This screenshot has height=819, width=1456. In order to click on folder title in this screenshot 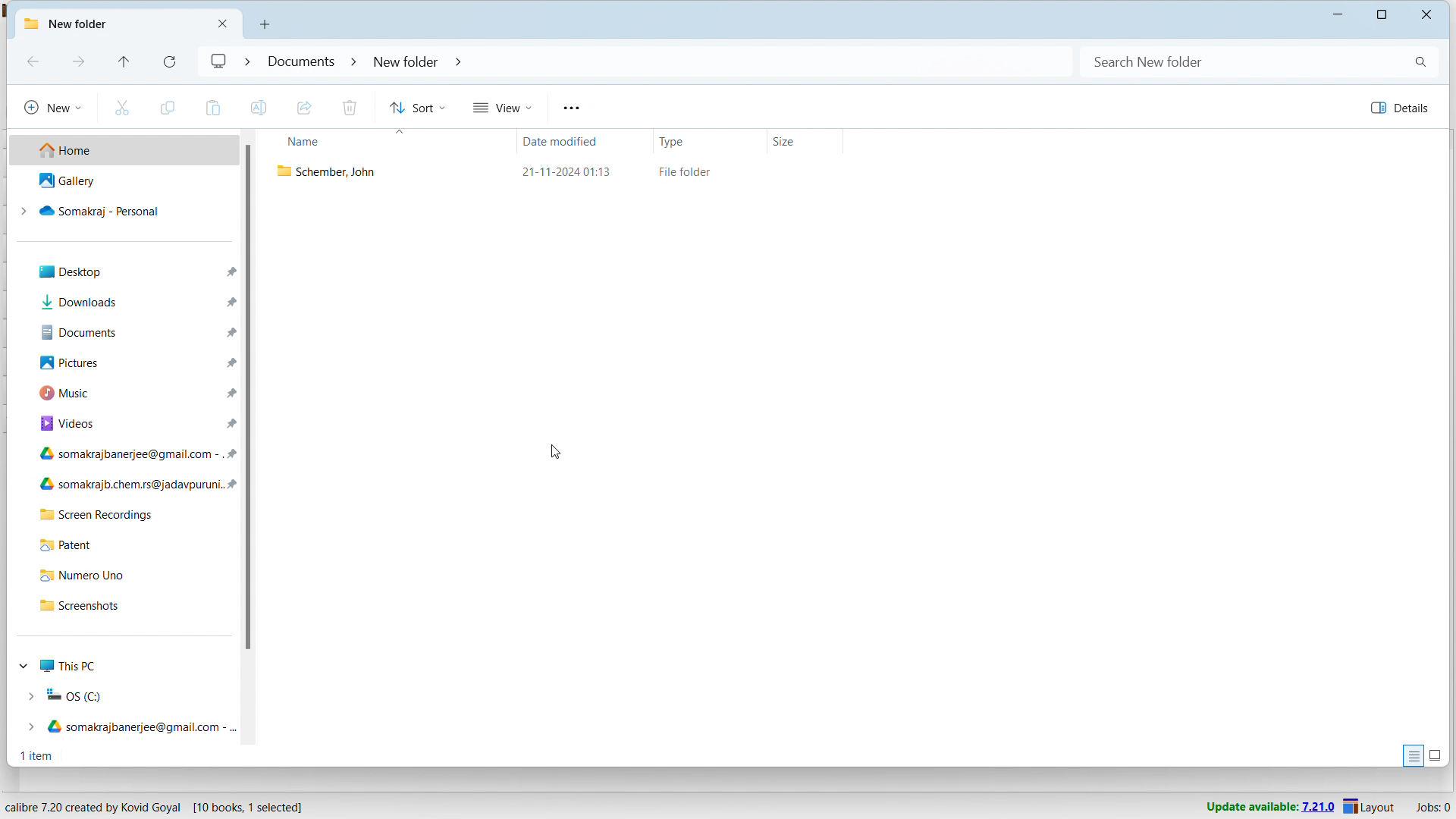, I will do `click(86, 23)`.